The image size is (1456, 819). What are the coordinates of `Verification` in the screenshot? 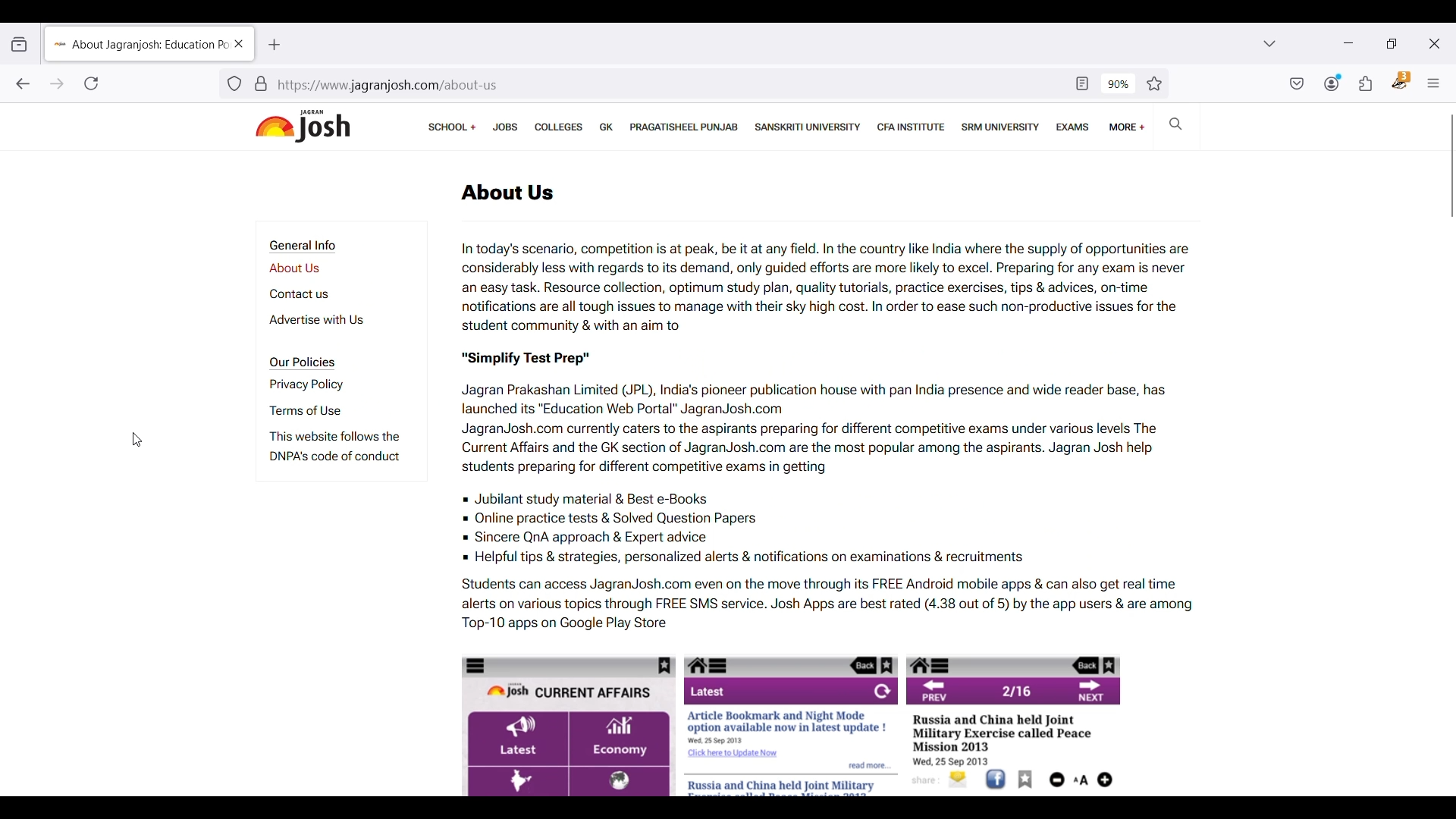 It's located at (261, 83).